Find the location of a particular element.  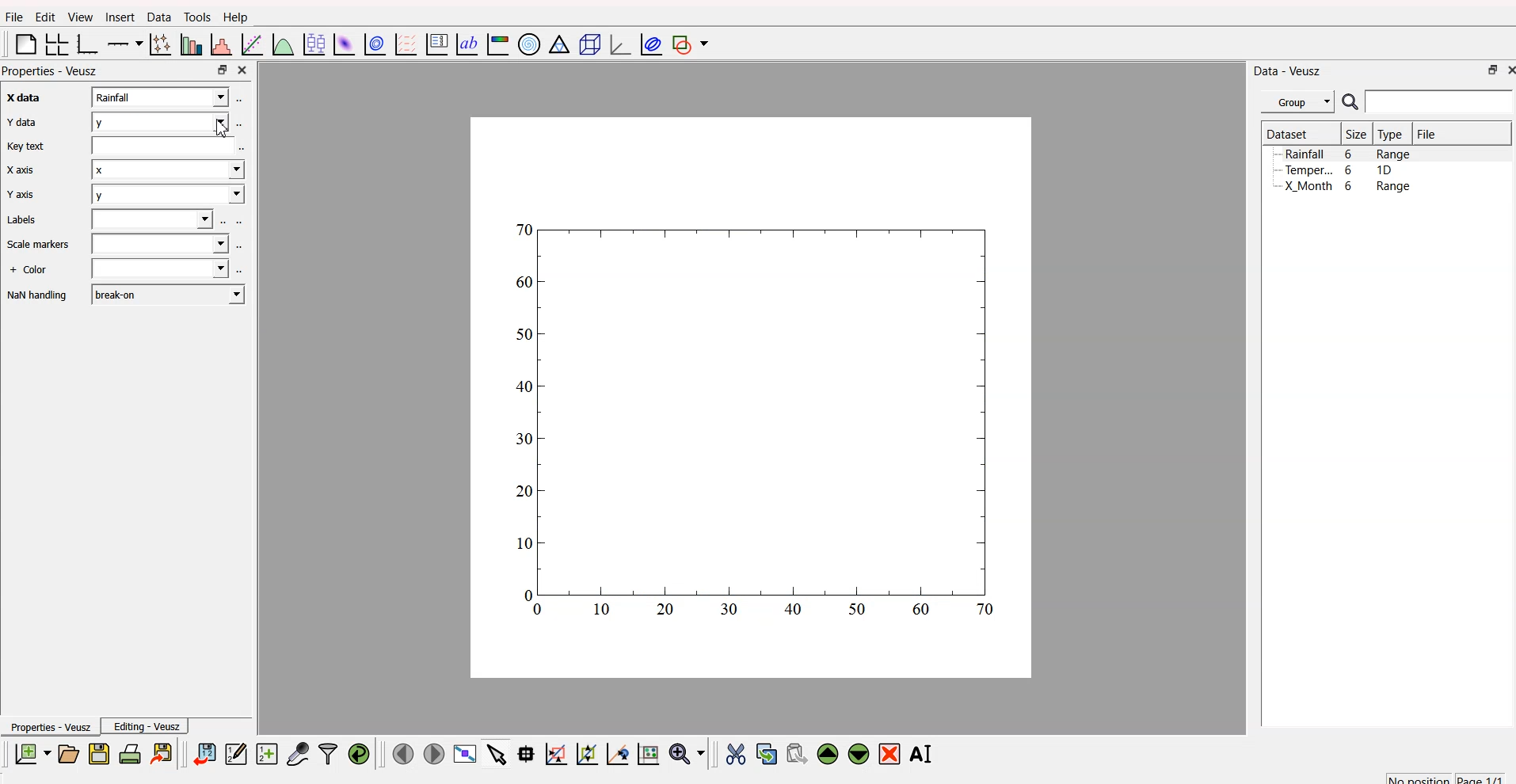

Properties - Veusz is located at coordinates (49, 726).